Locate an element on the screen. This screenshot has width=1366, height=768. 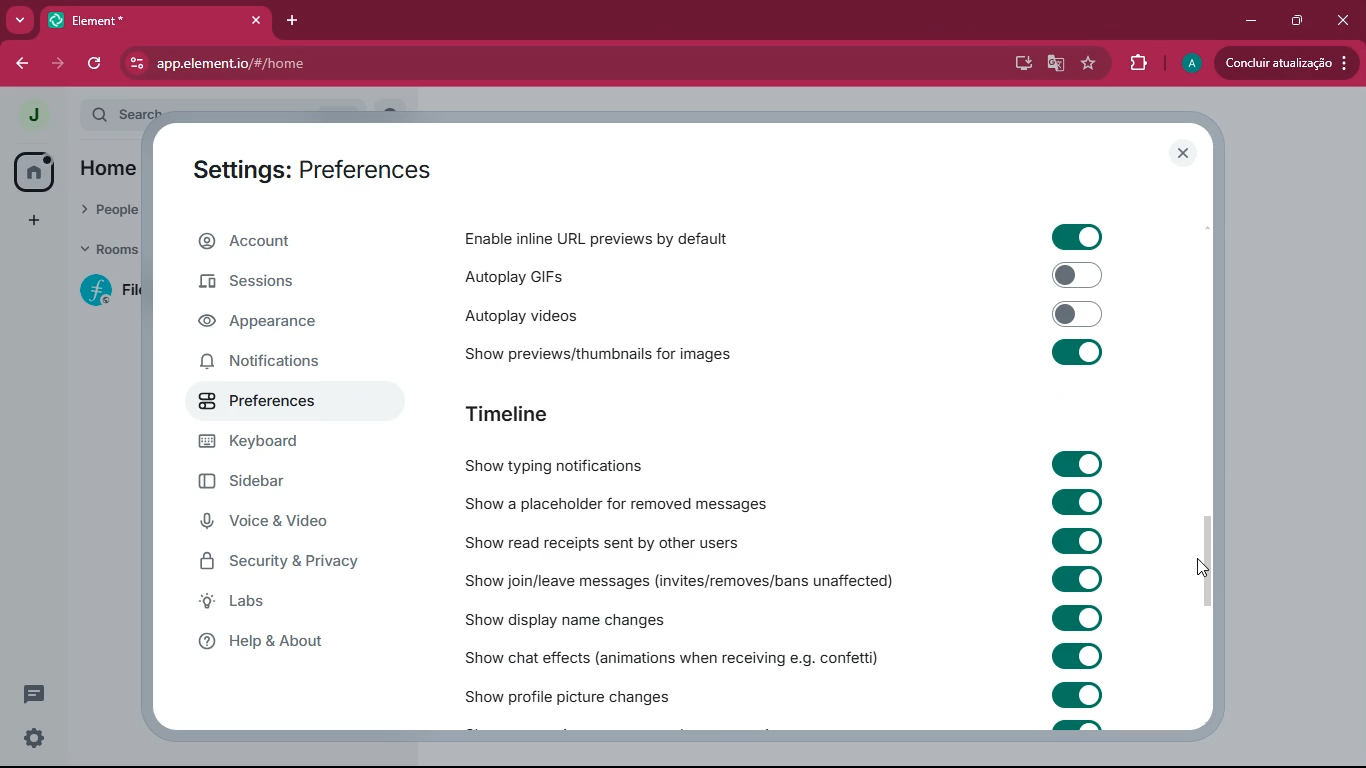
voice & video is located at coordinates (280, 524).